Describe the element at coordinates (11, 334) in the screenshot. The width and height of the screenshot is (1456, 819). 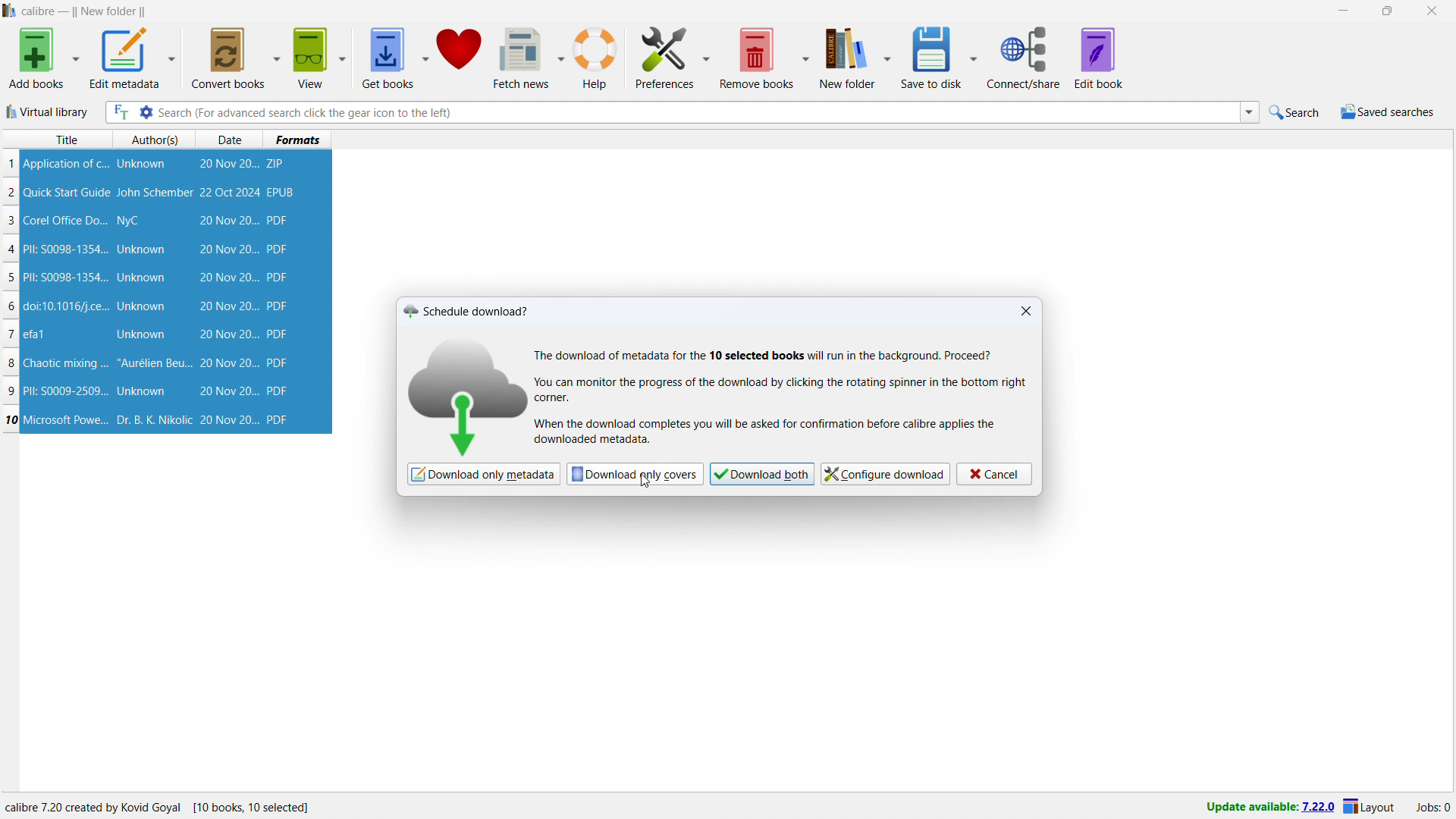
I see `7` at that location.